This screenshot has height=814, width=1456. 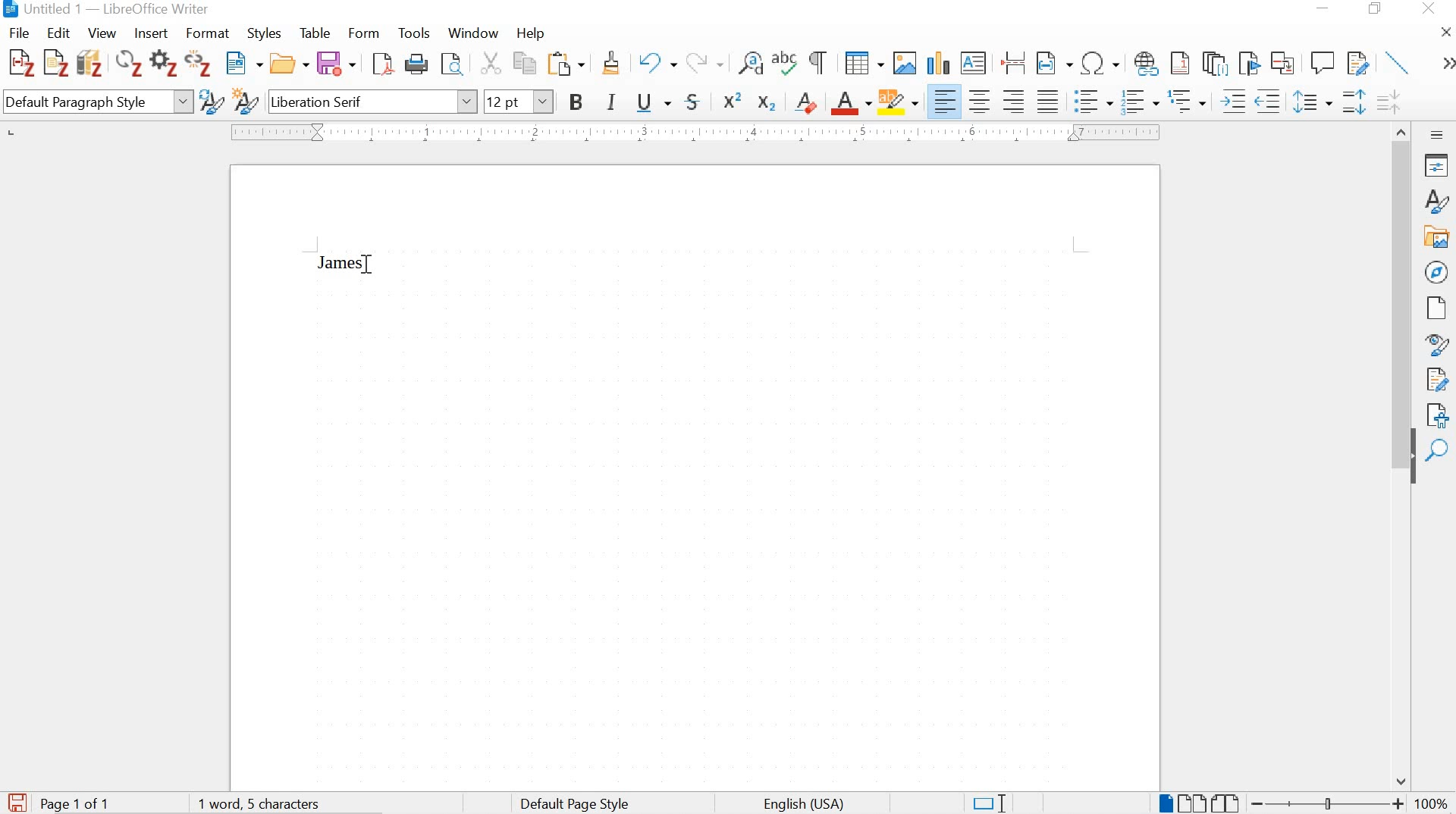 I want to click on insert footnote, so click(x=1147, y=64).